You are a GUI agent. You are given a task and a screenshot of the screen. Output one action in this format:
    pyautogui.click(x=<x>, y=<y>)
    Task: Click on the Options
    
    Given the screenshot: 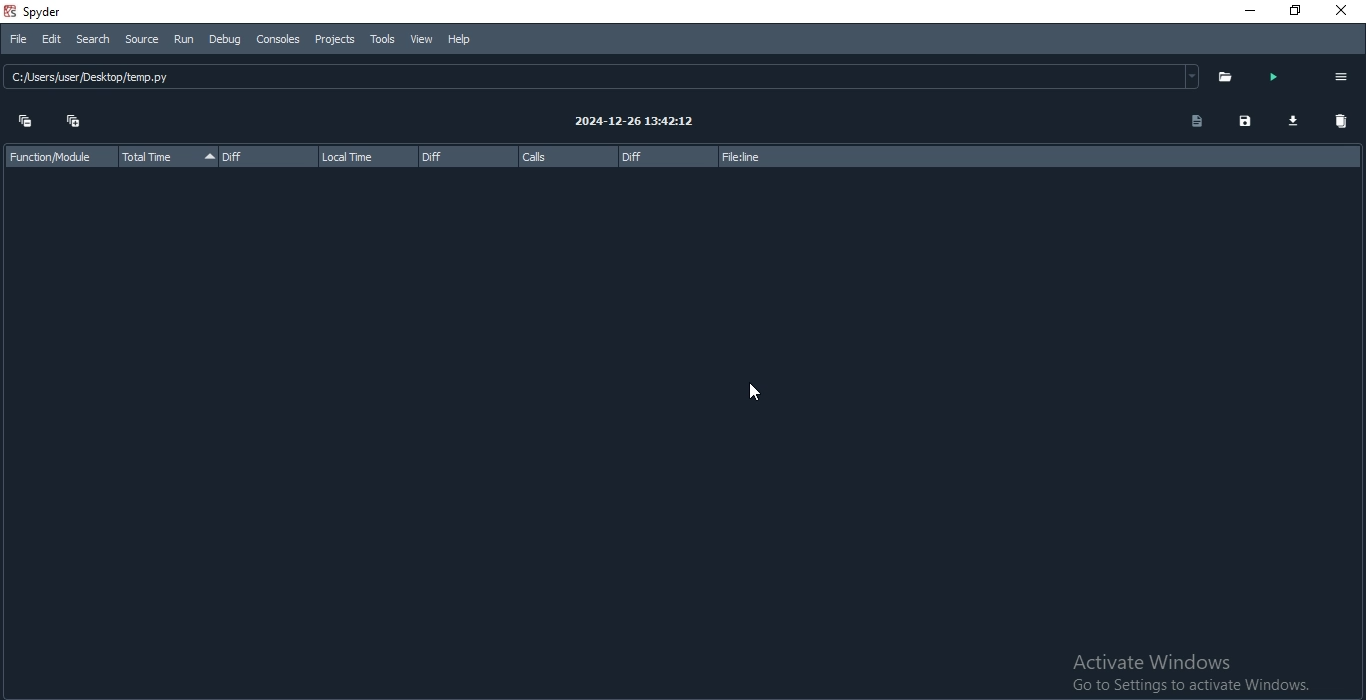 What is the action you would take?
    pyautogui.click(x=1342, y=77)
    